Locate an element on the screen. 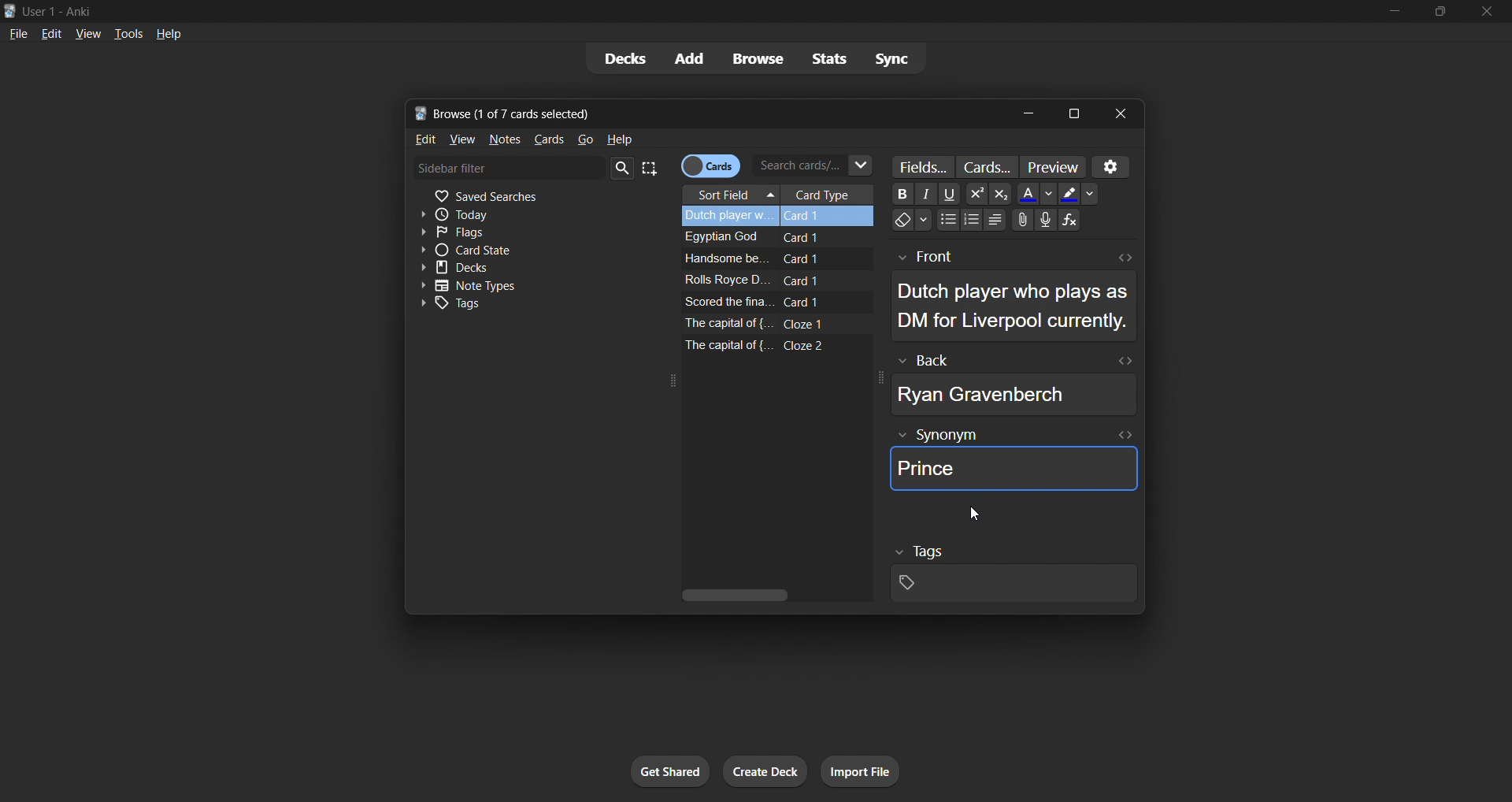 The image size is (1512, 802). go is located at coordinates (584, 139).